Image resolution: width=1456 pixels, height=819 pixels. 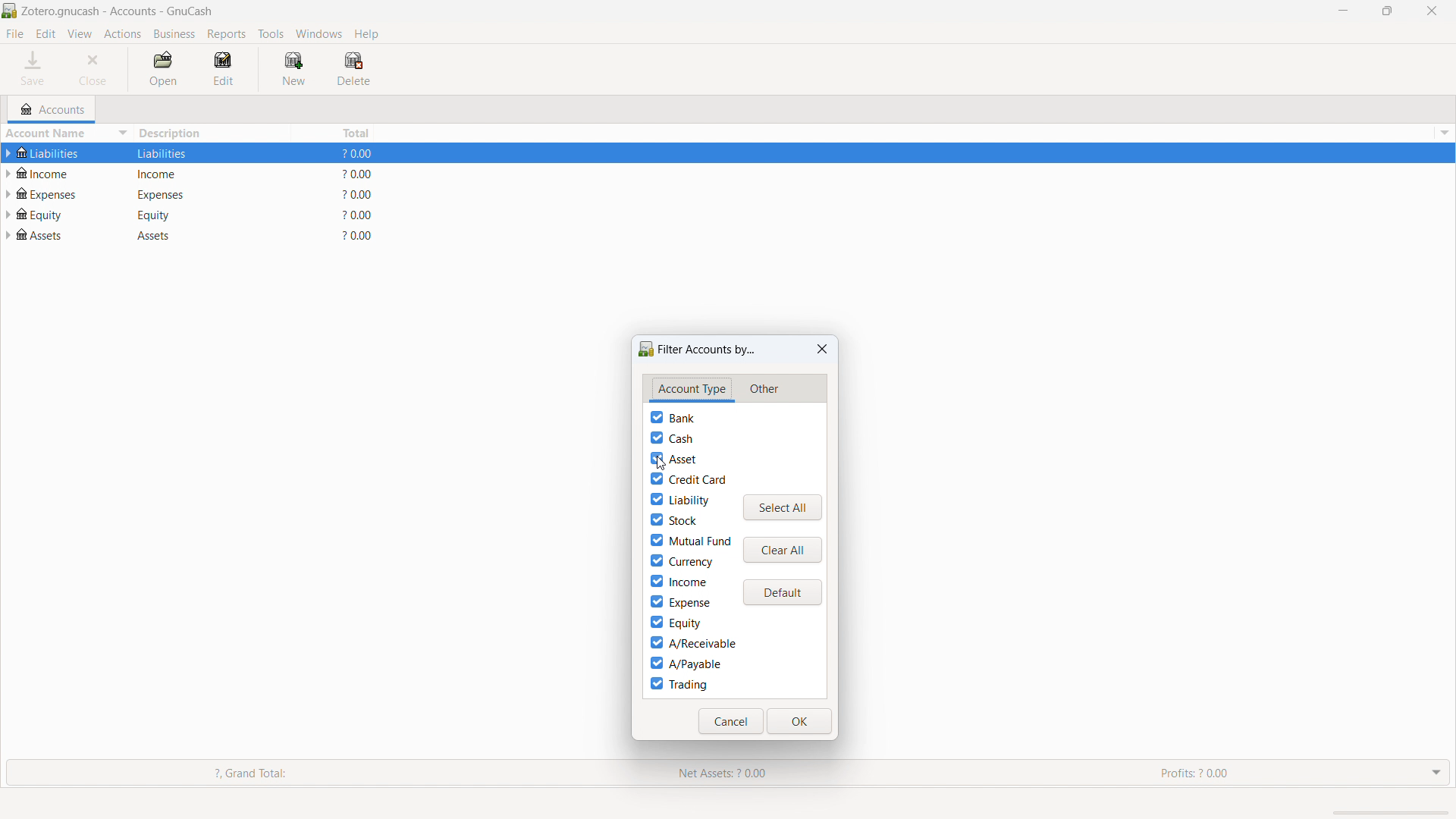 What do you see at coordinates (673, 459) in the screenshot?
I see `asset` at bounding box center [673, 459].